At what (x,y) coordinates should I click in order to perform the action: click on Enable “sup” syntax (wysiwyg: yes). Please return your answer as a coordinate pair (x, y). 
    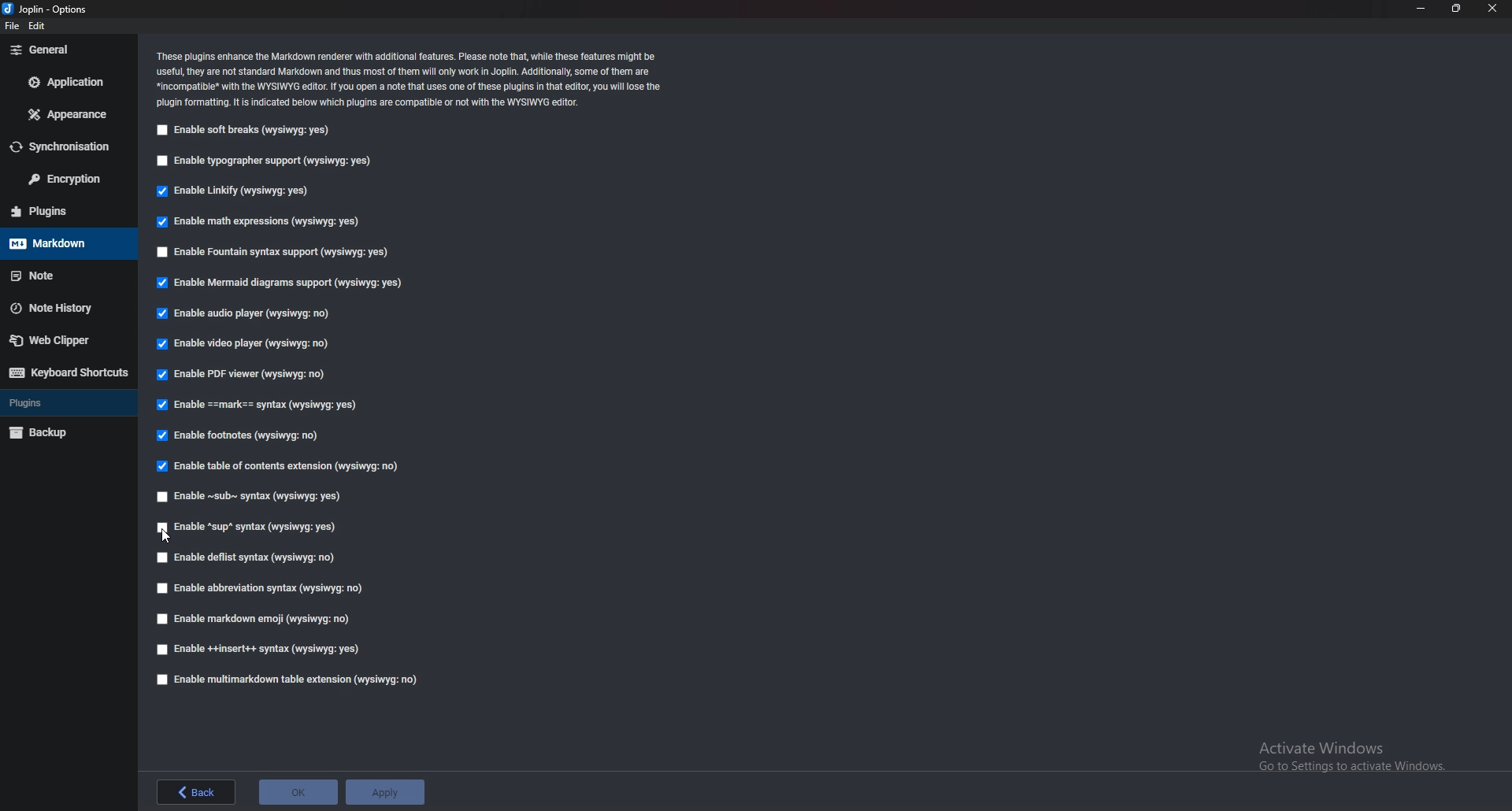
    Looking at the image, I should click on (247, 527).